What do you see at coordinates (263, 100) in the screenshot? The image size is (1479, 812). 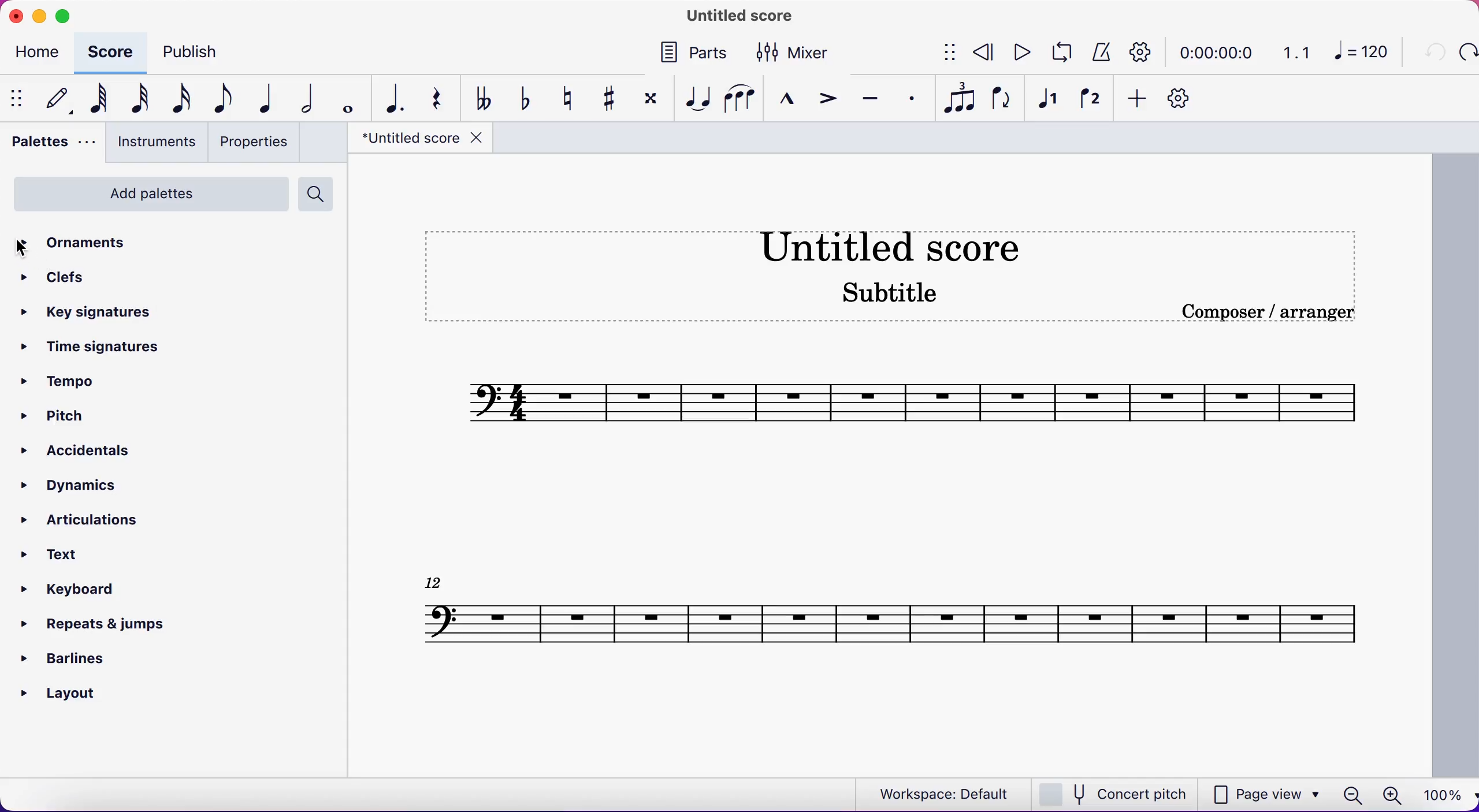 I see `quarter note` at bounding box center [263, 100].